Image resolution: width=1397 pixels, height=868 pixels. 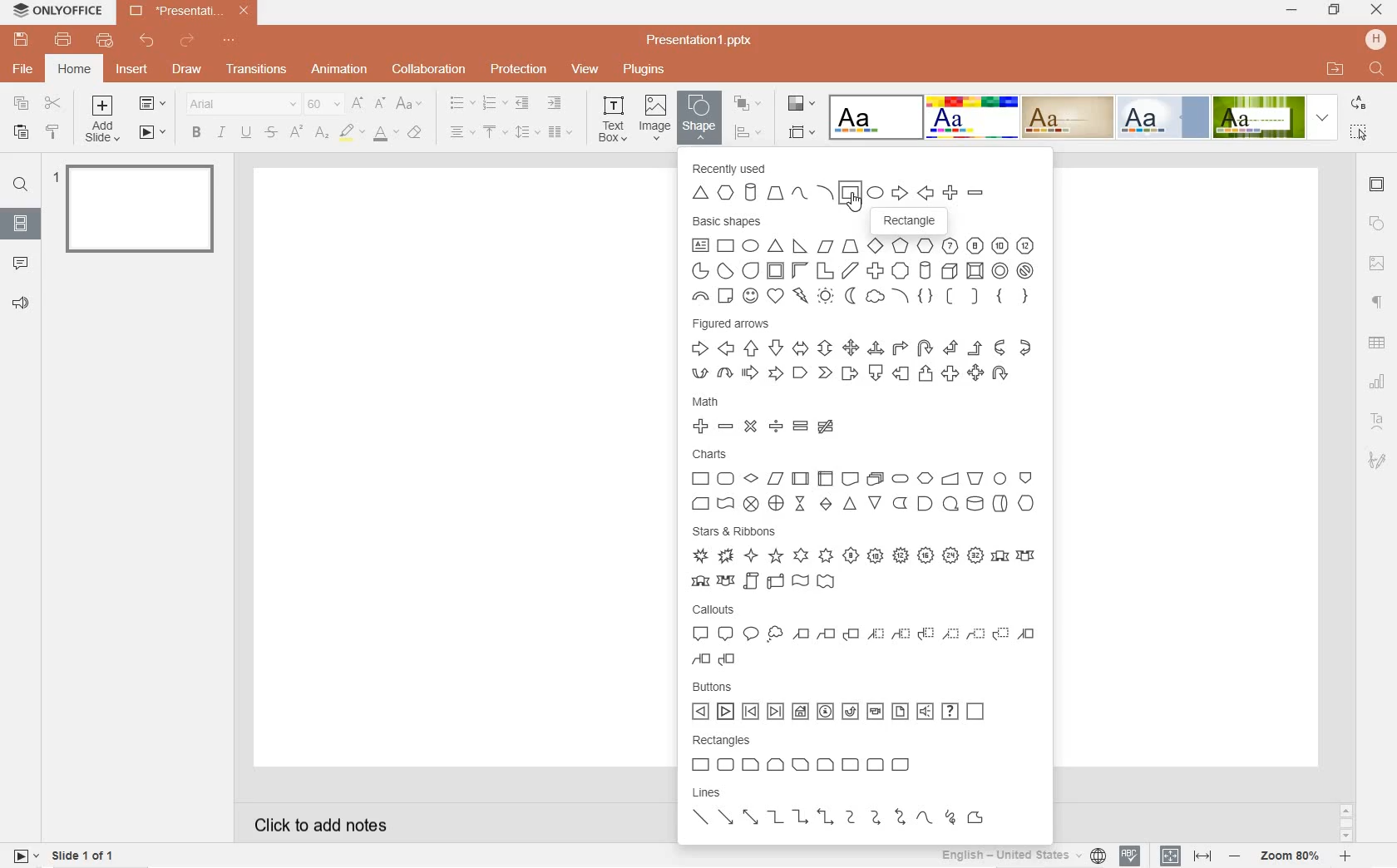 I want to click on Line Callout 1 (Accent Bar), so click(x=876, y=636).